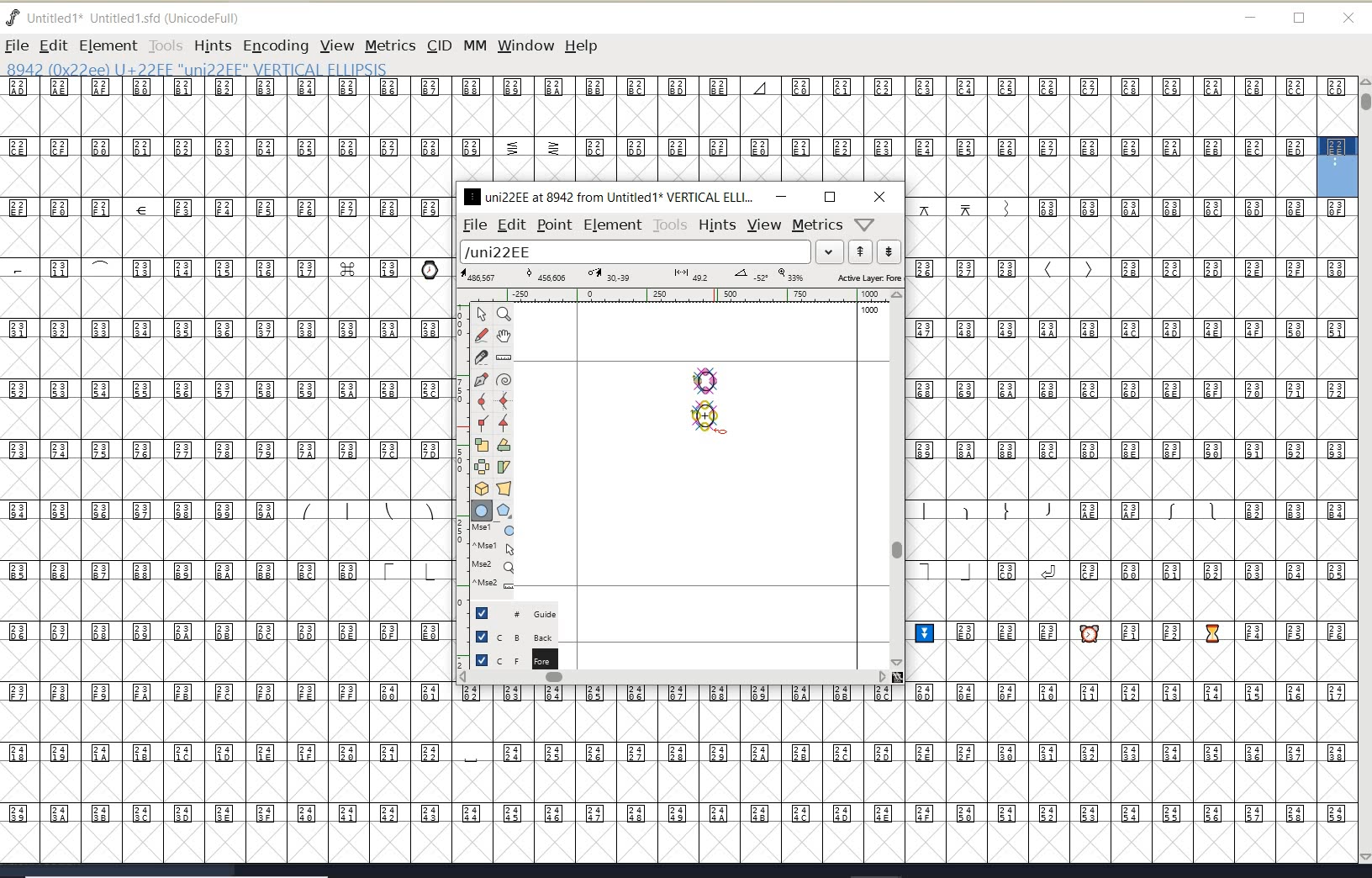 The height and width of the screenshot is (878, 1372). What do you see at coordinates (495, 557) in the screenshot?
I see `cursor events on the open new outline window` at bounding box center [495, 557].